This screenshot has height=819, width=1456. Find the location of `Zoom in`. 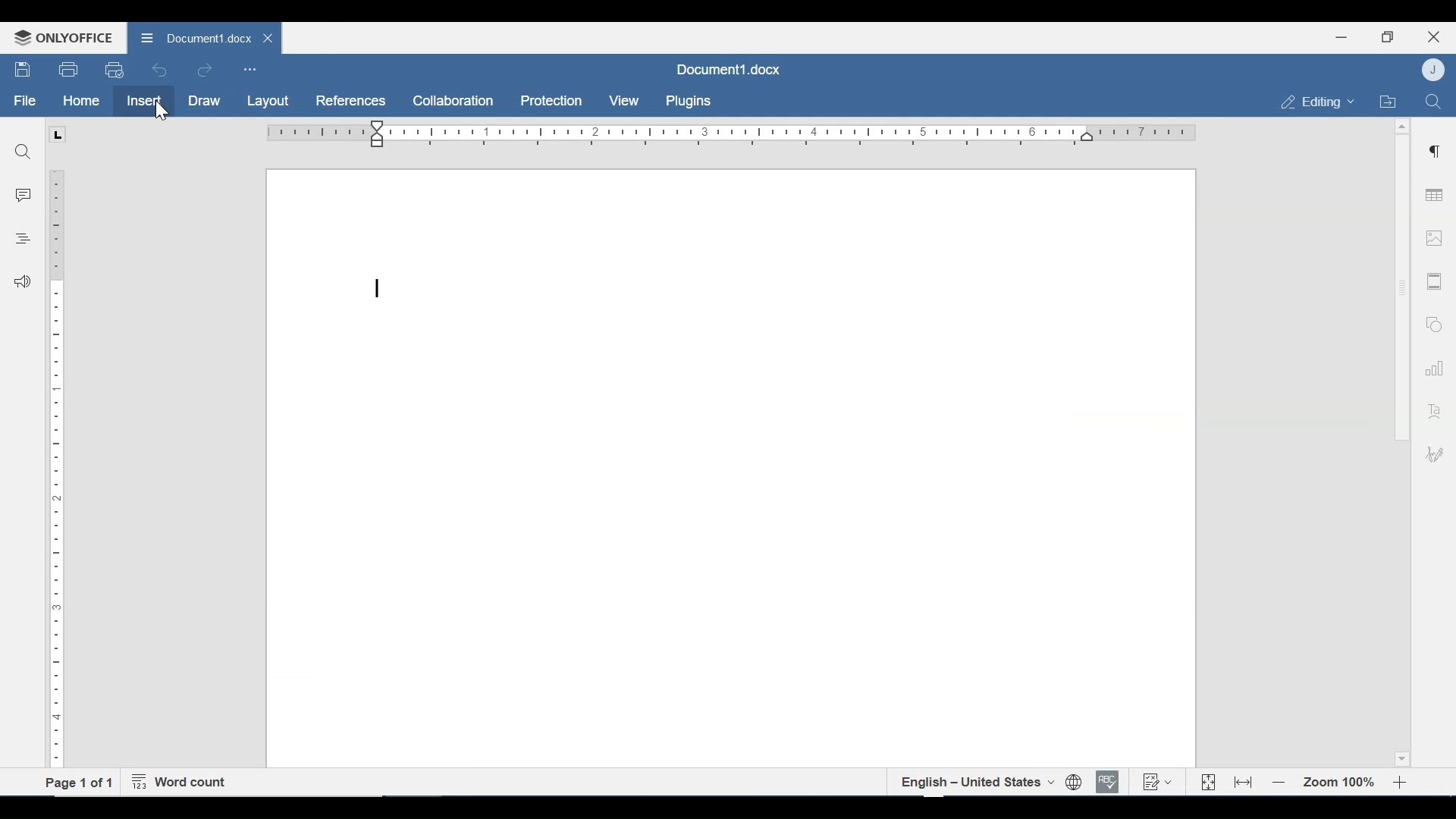

Zoom in is located at coordinates (1403, 783).